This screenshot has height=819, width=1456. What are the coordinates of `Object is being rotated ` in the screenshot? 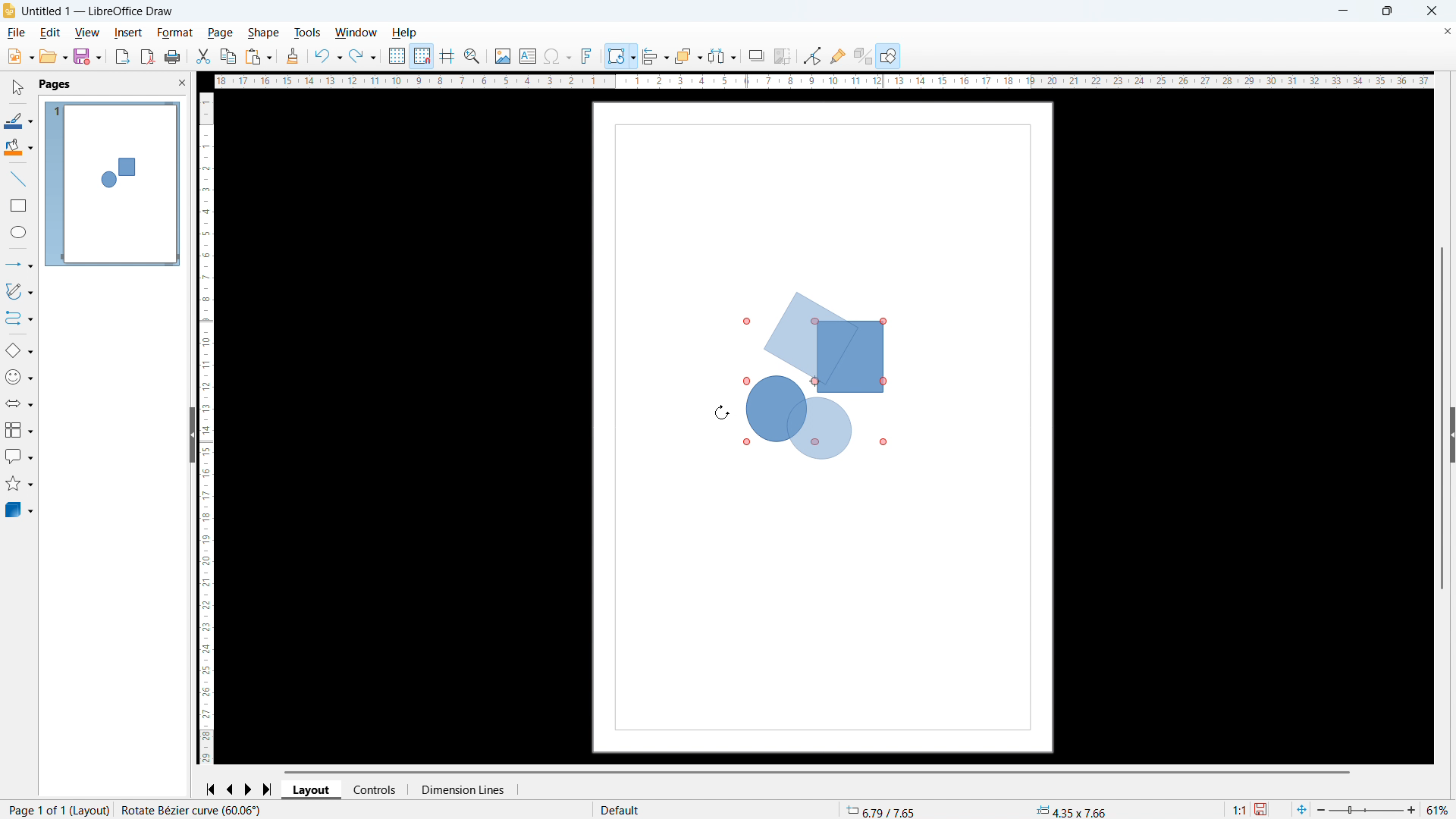 It's located at (817, 375).